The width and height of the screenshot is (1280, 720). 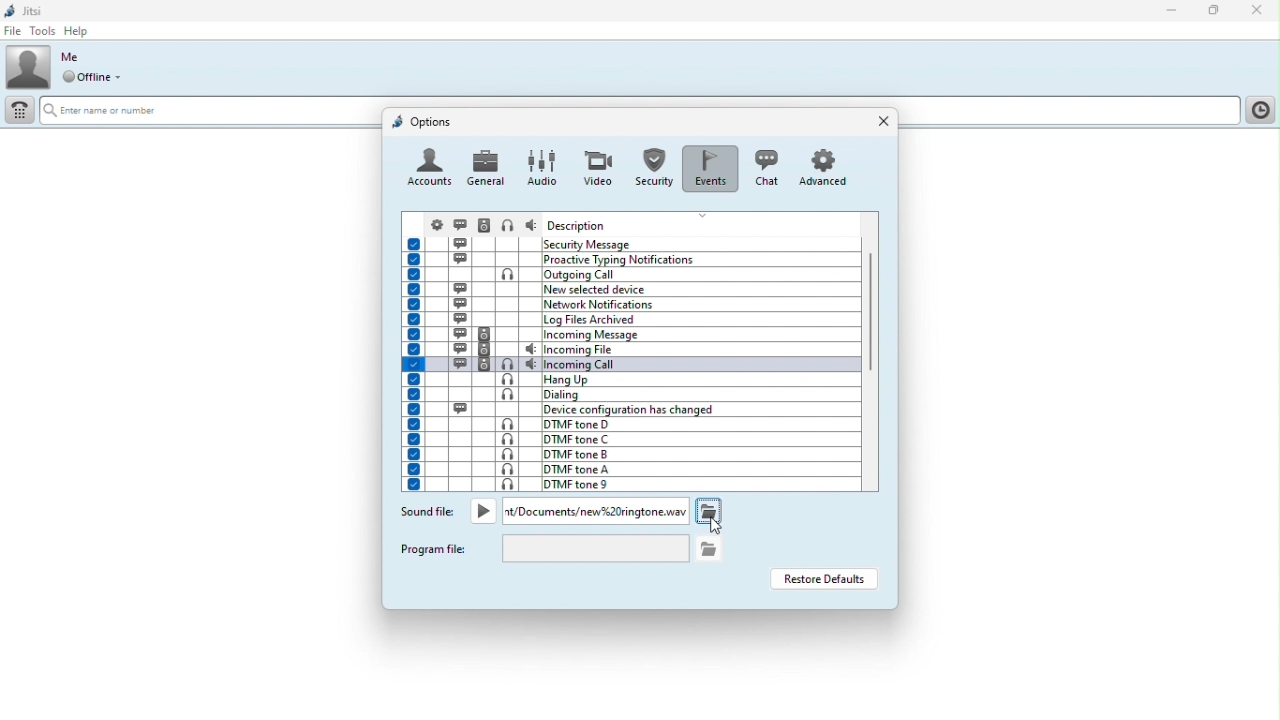 What do you see at coordinates (12, 31) in the screenshot?
I see `File` at bounding box center [12, 31].